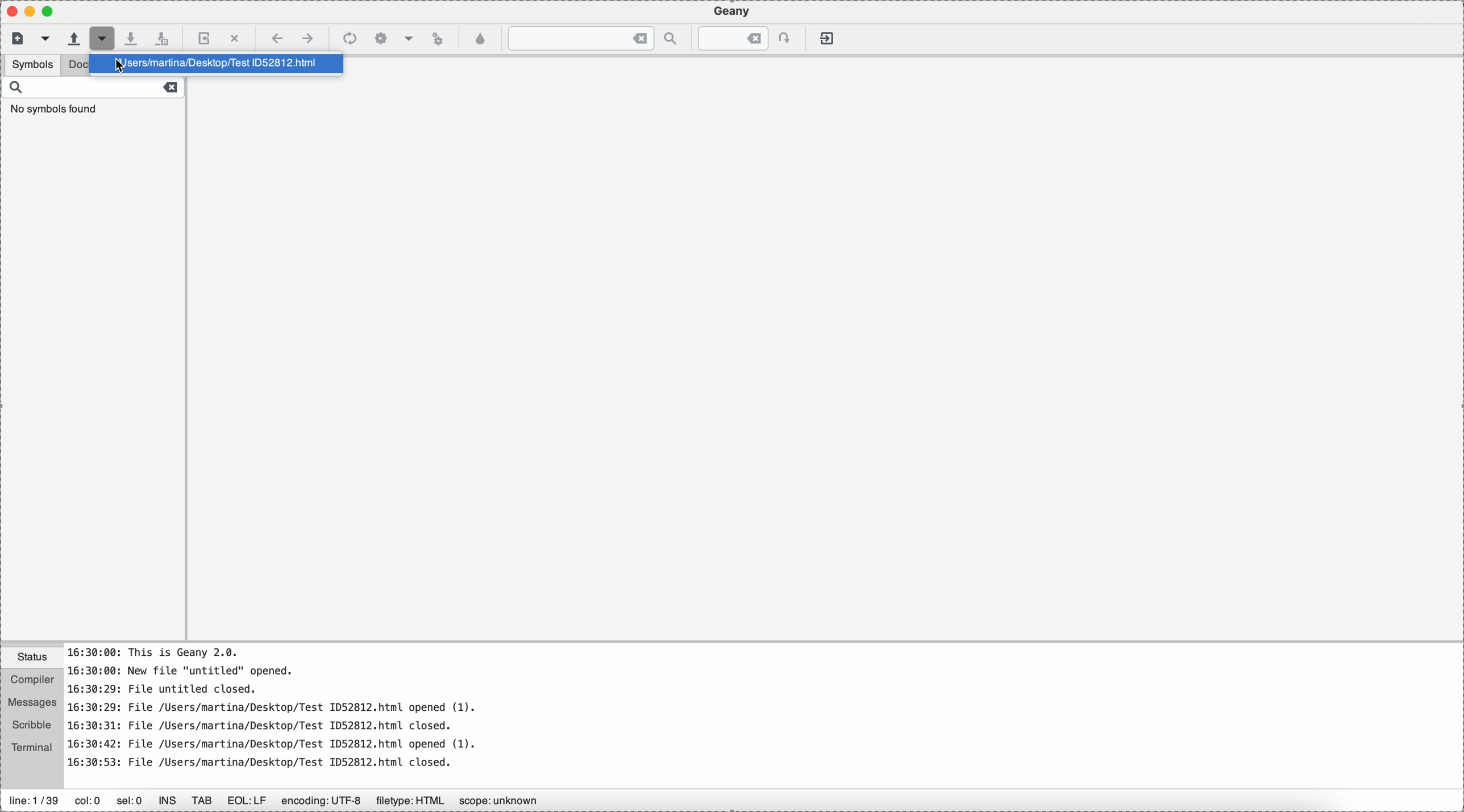 The width and height of the screenshot is (1464, 812). What do you see at coordinates (32, 659) in the screenshot?
I see `status` at bounding box center [32, 659].